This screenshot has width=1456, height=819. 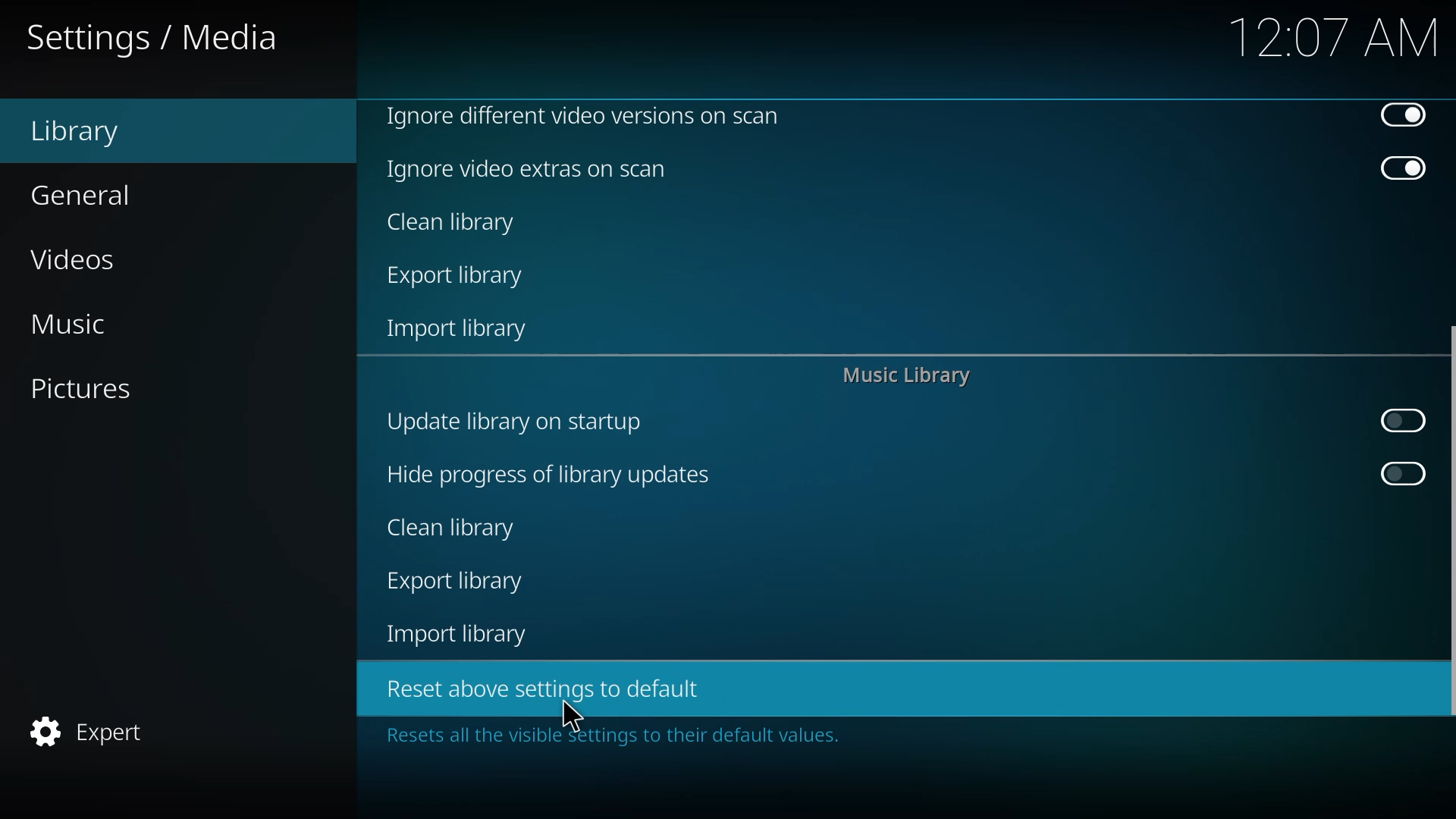 I want to click on click to enable, so click(x=1401, y=474).